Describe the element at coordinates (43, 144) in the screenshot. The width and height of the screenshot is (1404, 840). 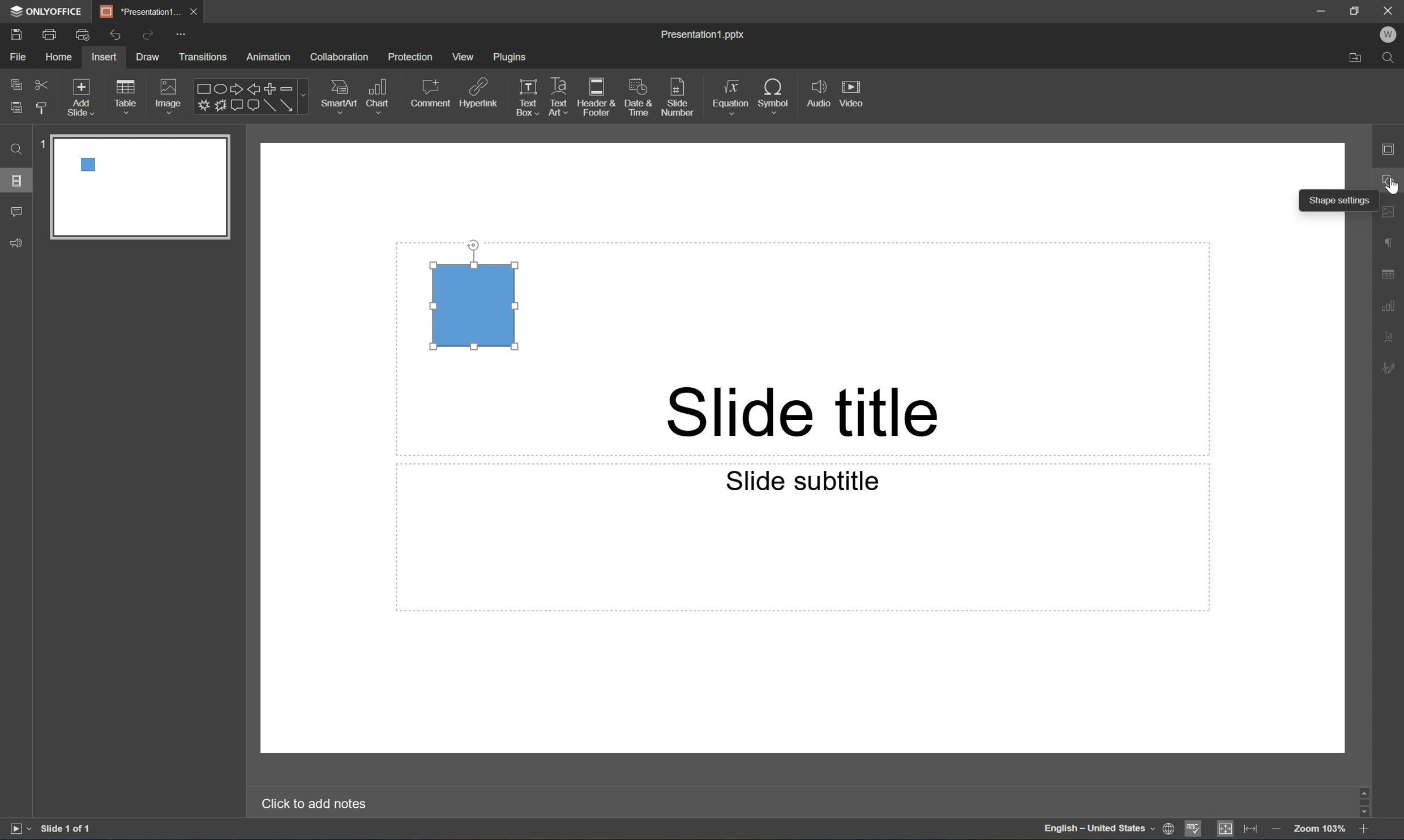
I see `1` at that location.